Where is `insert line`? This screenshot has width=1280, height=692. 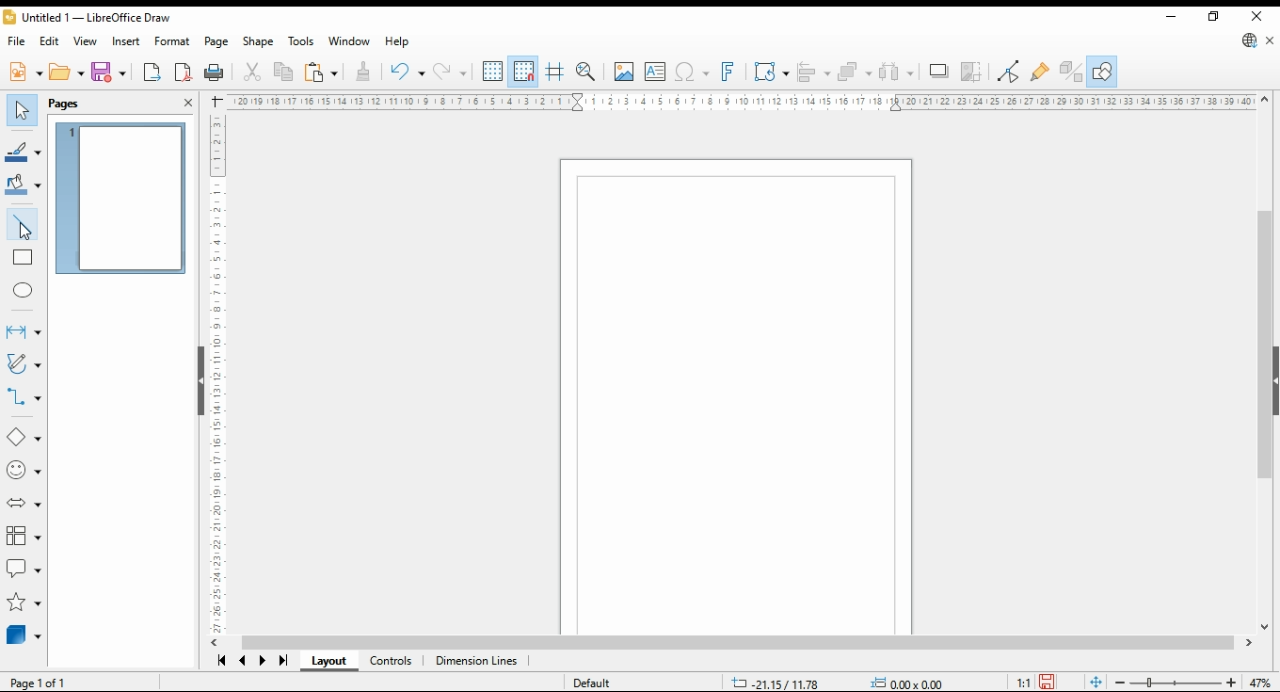 insert line is located at coordinates (26, 227).